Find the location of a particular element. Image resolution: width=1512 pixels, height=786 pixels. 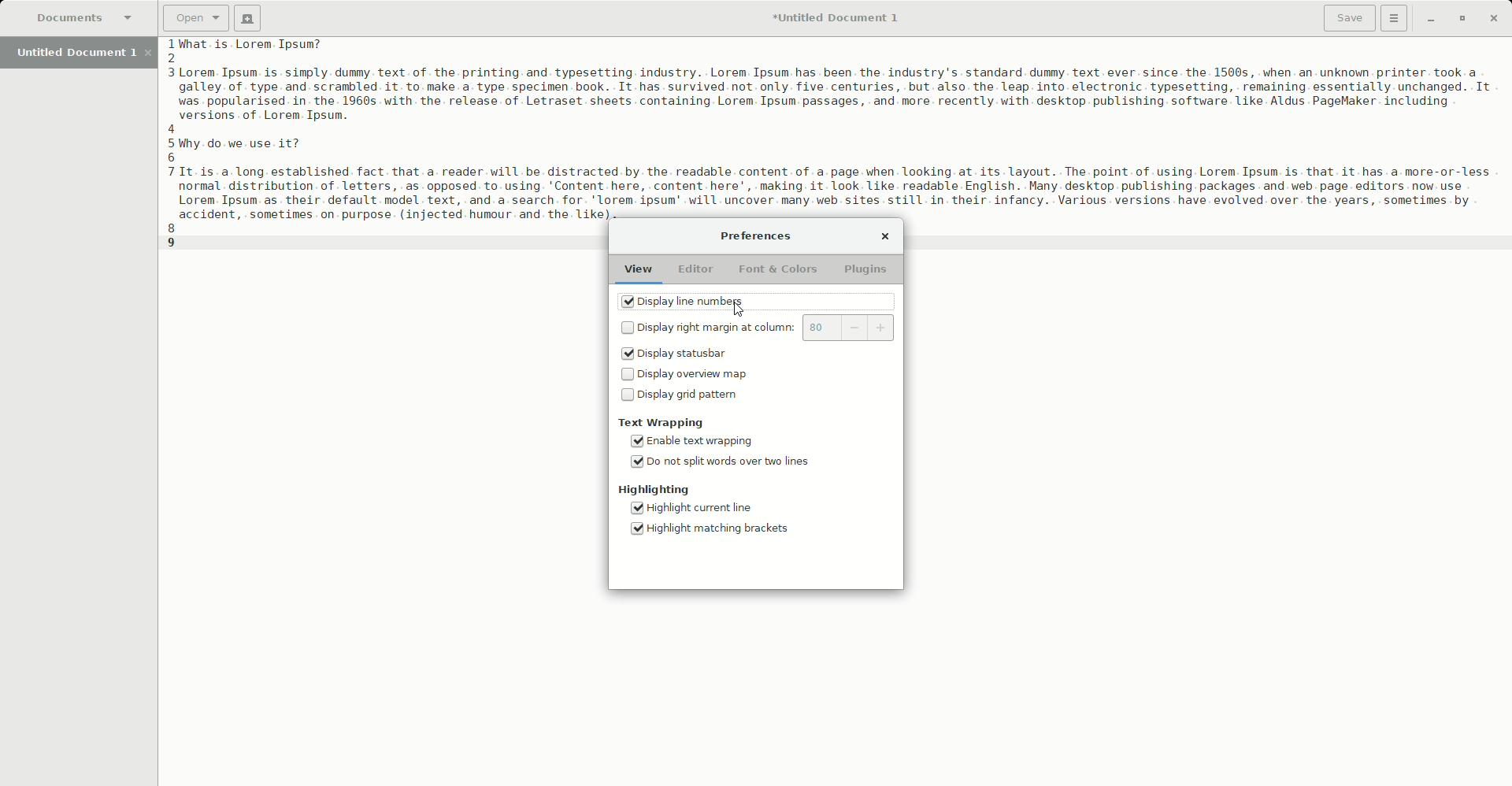

Numbers to count lines is located at coordinates (173, 146).